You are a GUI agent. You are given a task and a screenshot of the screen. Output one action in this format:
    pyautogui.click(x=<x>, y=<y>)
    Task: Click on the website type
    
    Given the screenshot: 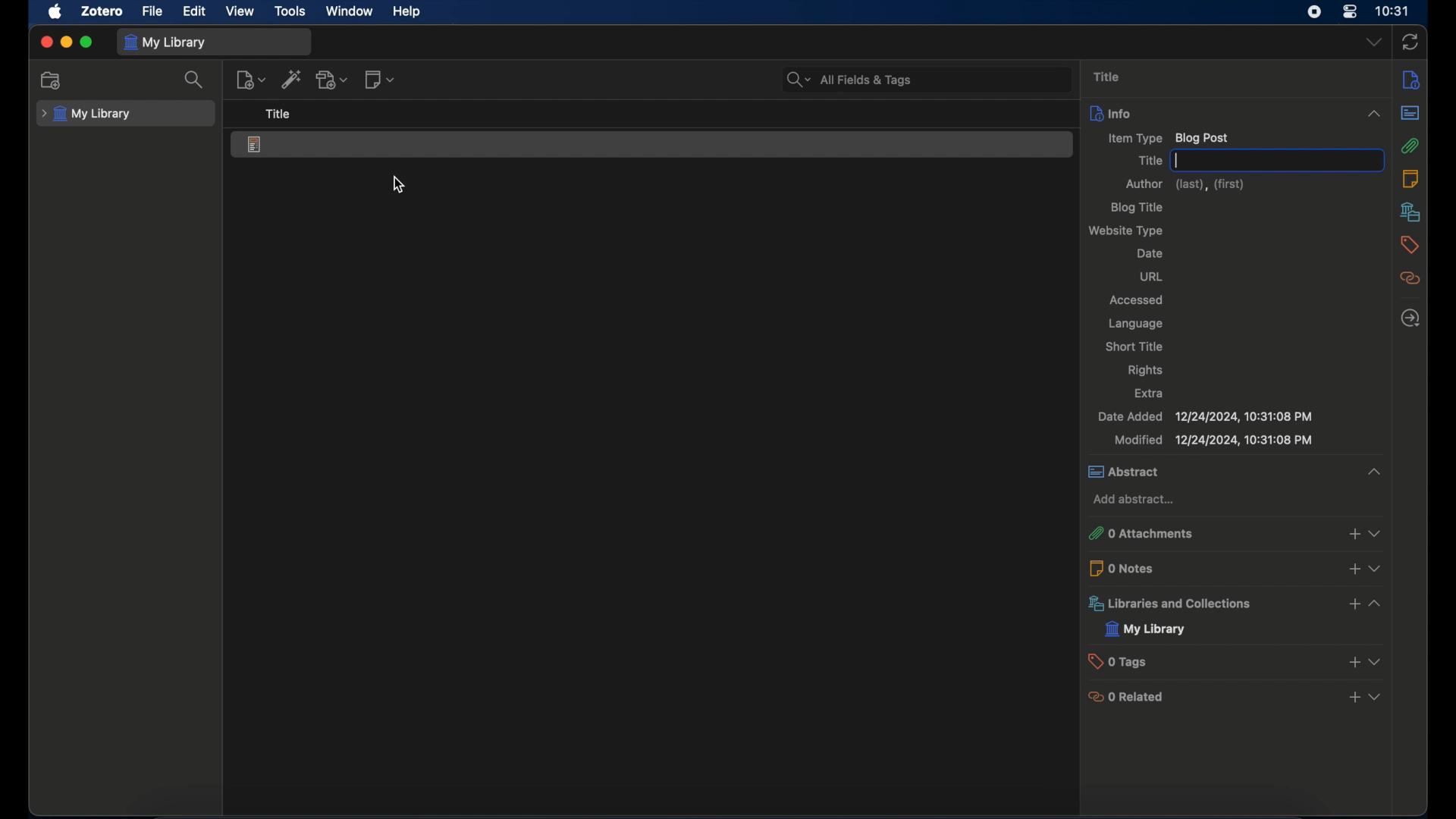 What is the action you would take?
    pyautogui.click(x=1128, y=231)
    